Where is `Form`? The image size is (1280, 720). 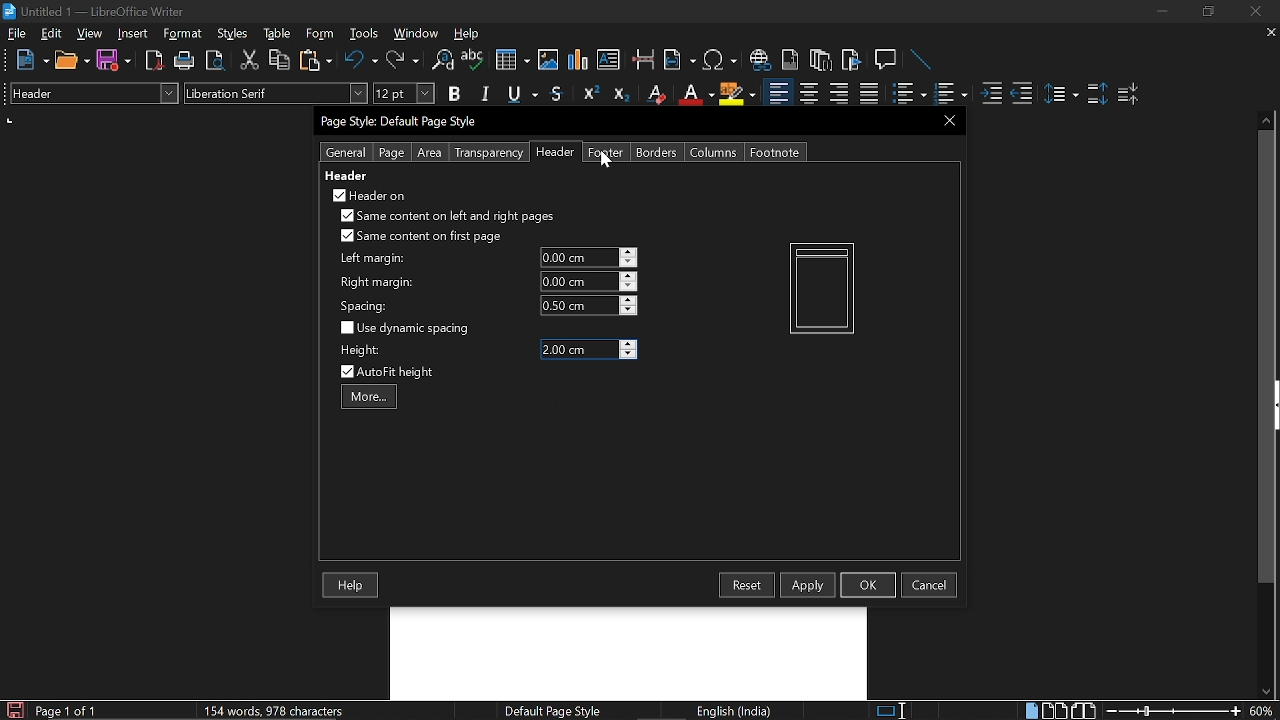
Form is located at coordinates (321, 34).